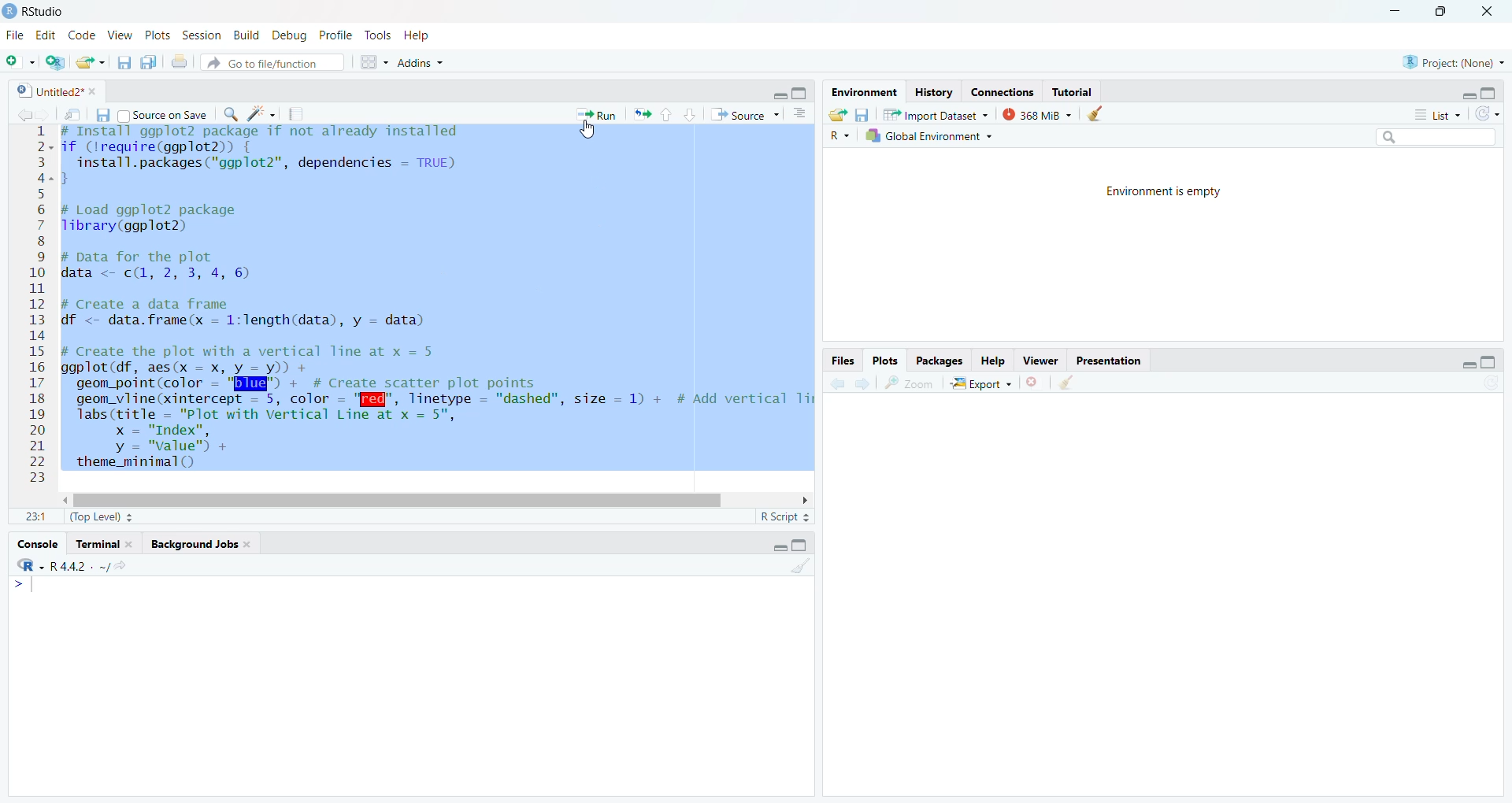  Describe the element at coordinates (229, 114) in the screenshot. I see `search` at that location.